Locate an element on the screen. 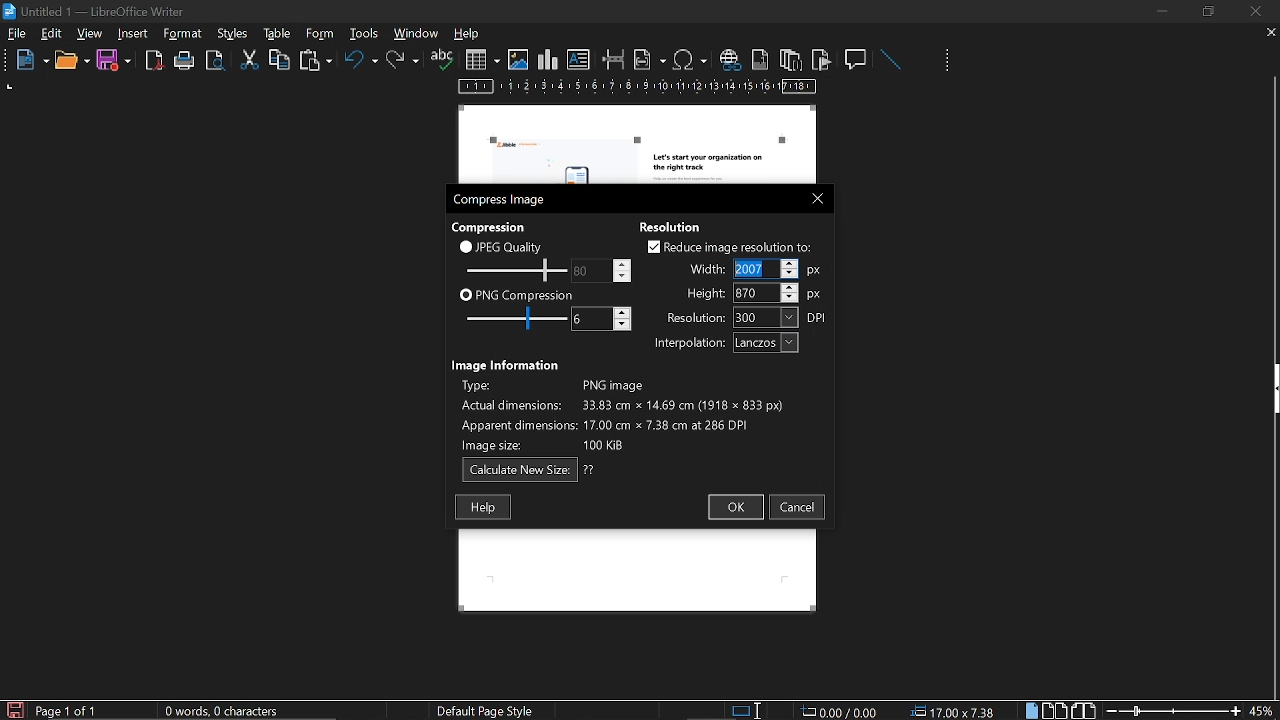 The height and width of the screenshot is (720, 1280). insert field is located at coordinates (650, 59).